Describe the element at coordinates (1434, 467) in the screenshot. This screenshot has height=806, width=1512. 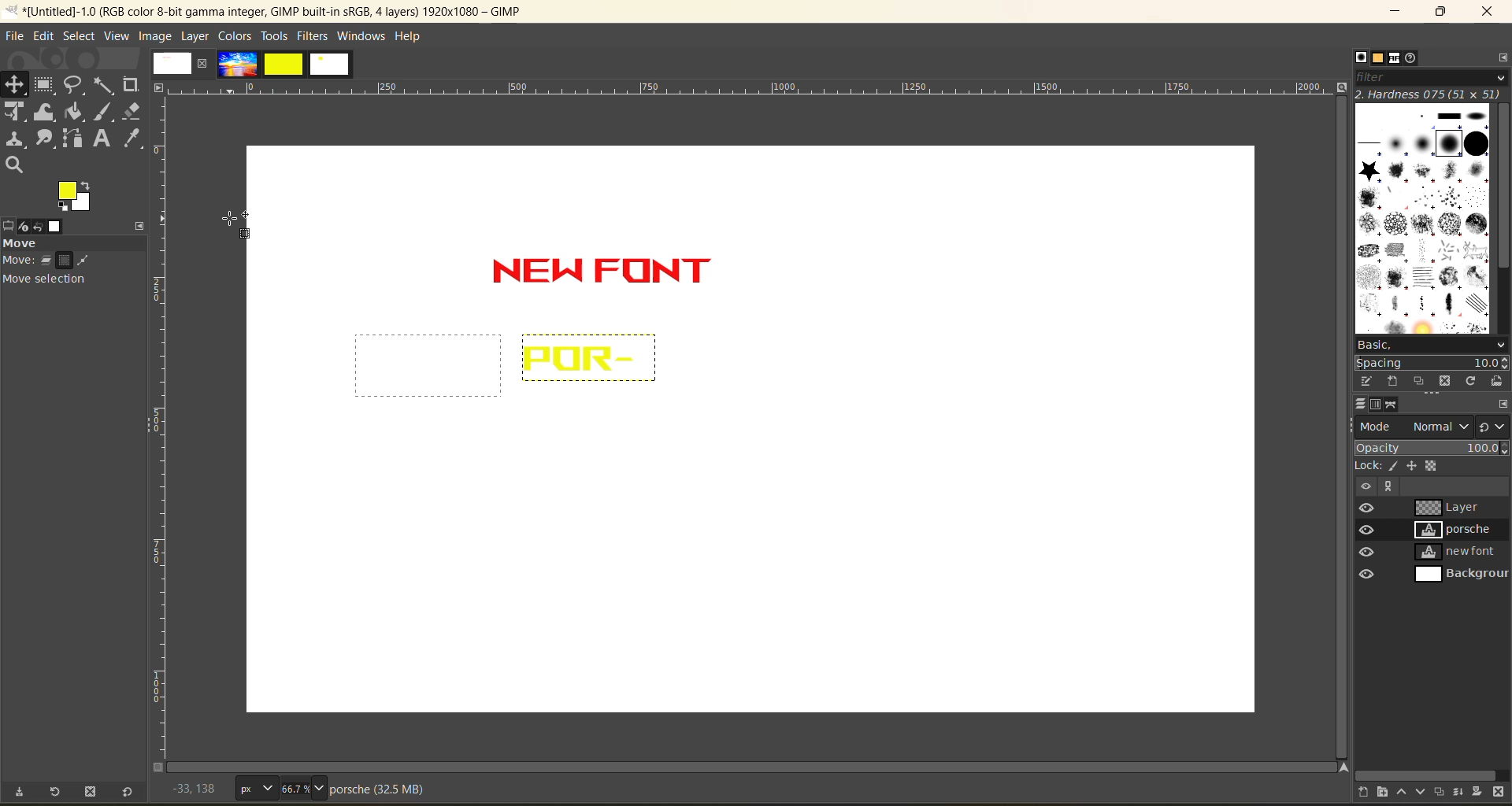
I see `alpha` at that location.